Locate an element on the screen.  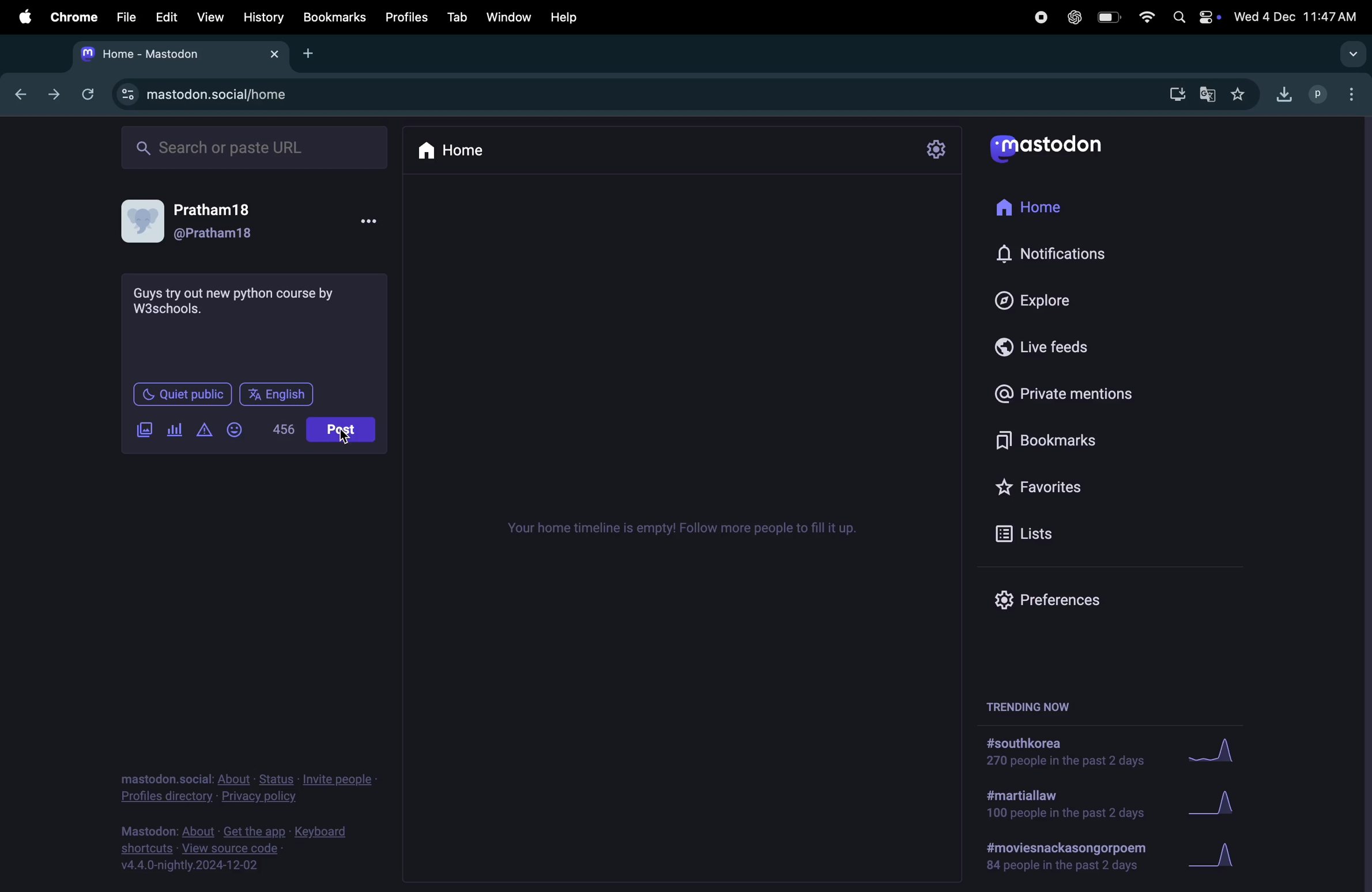
profiles is located at coordinates (405, 17).